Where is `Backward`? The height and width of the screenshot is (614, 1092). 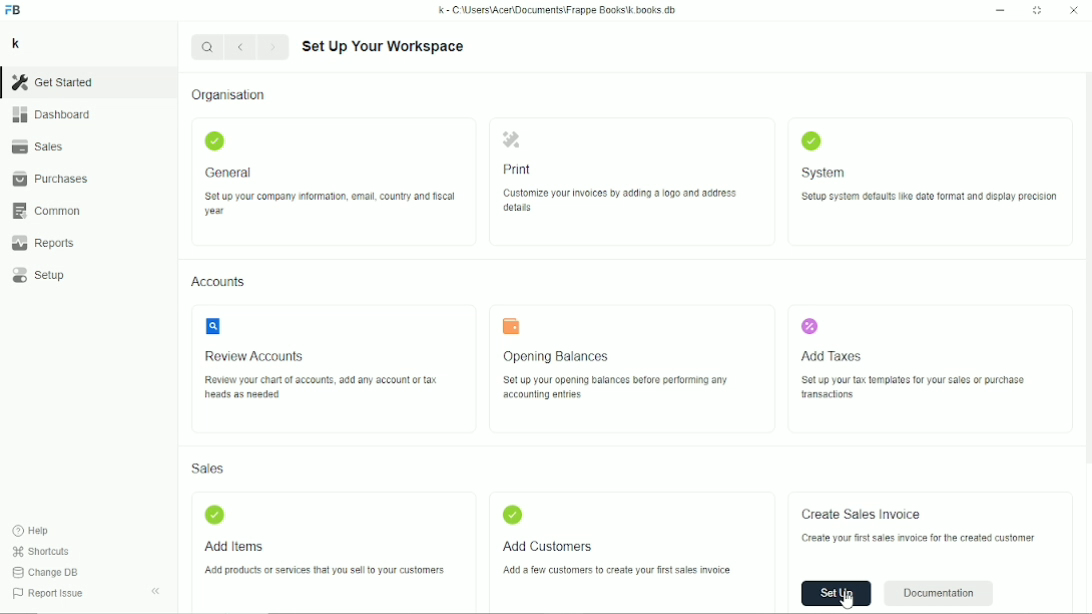
Backward is located at coordinates (244, 46).